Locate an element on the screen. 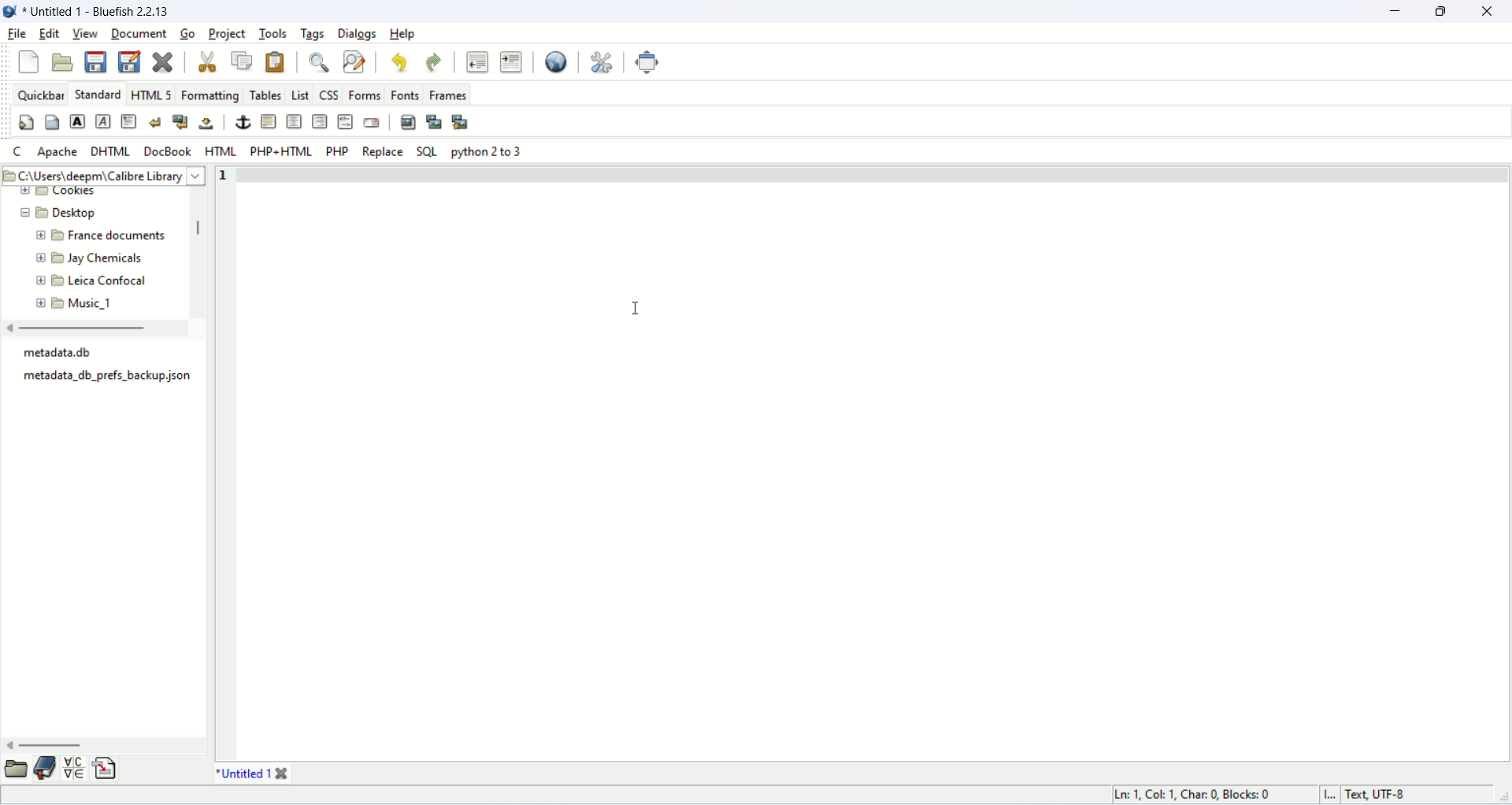 This screenshot has height=805, width=1512. char map is located at coordinates (74, 769).